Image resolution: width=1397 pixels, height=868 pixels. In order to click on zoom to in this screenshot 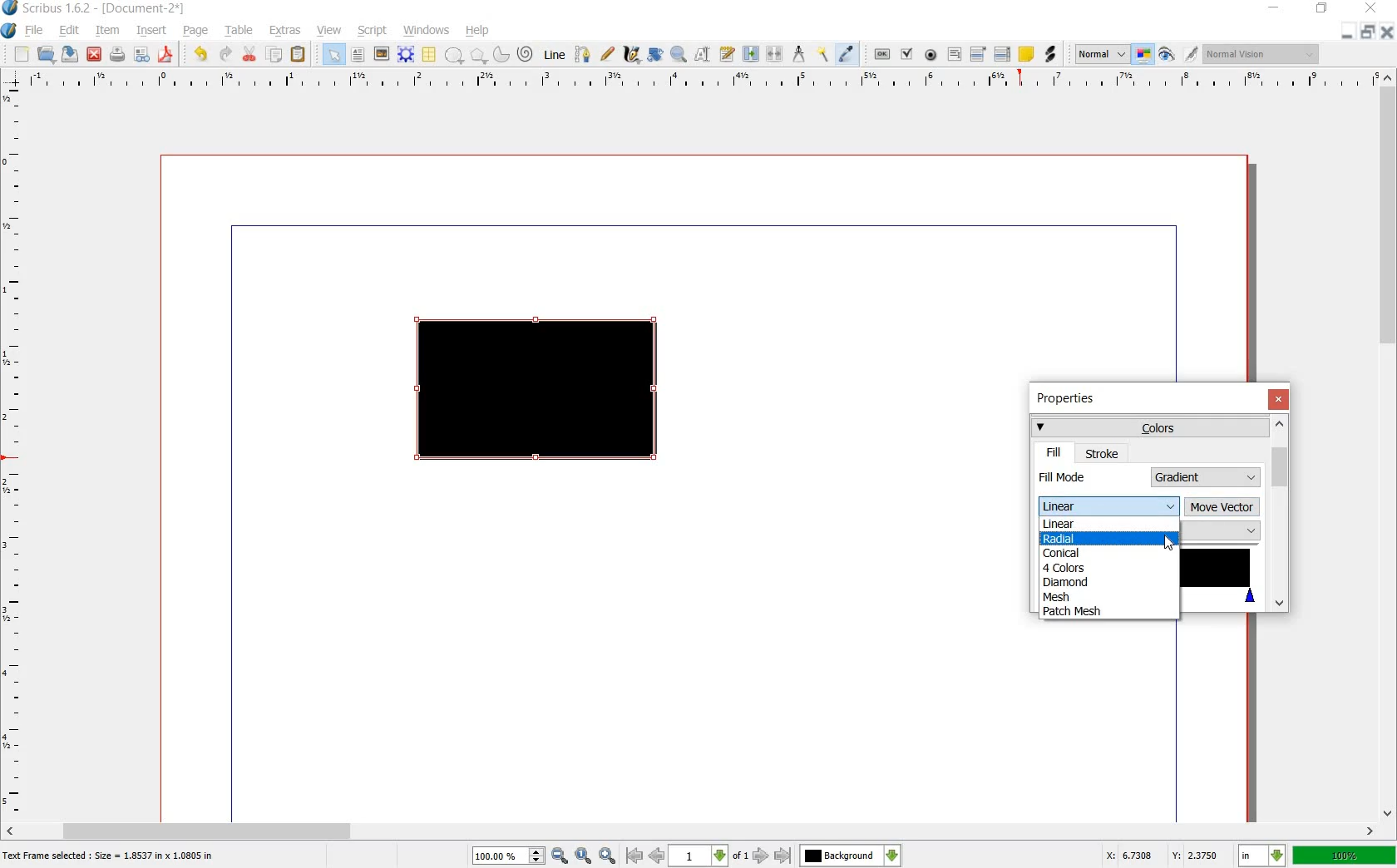, I will do `click(584, 856)`.